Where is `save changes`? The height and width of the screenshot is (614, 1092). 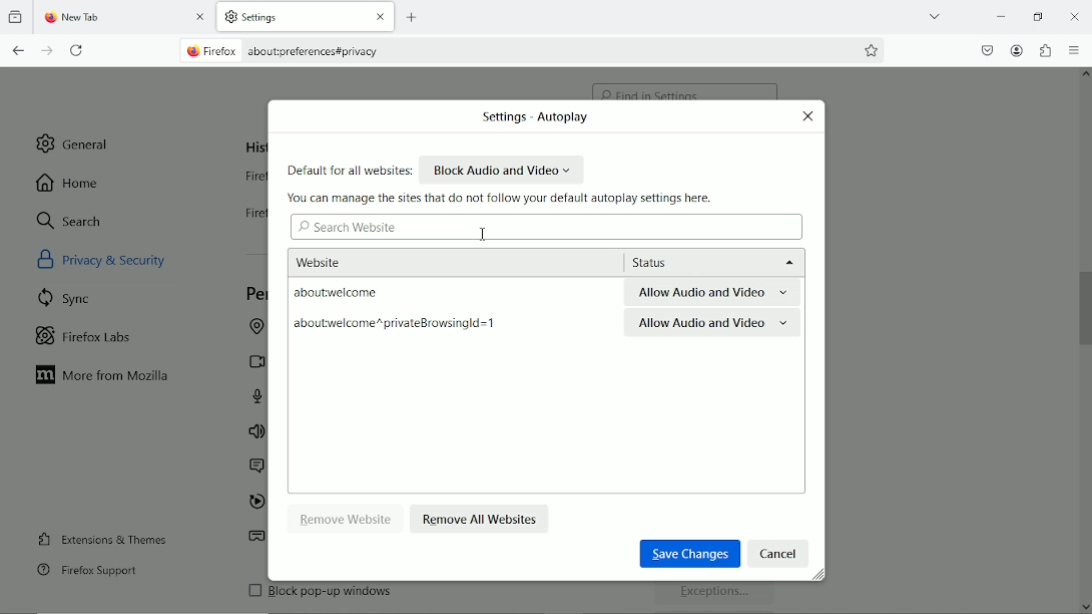 save changes is located at coordinates (687, 552).